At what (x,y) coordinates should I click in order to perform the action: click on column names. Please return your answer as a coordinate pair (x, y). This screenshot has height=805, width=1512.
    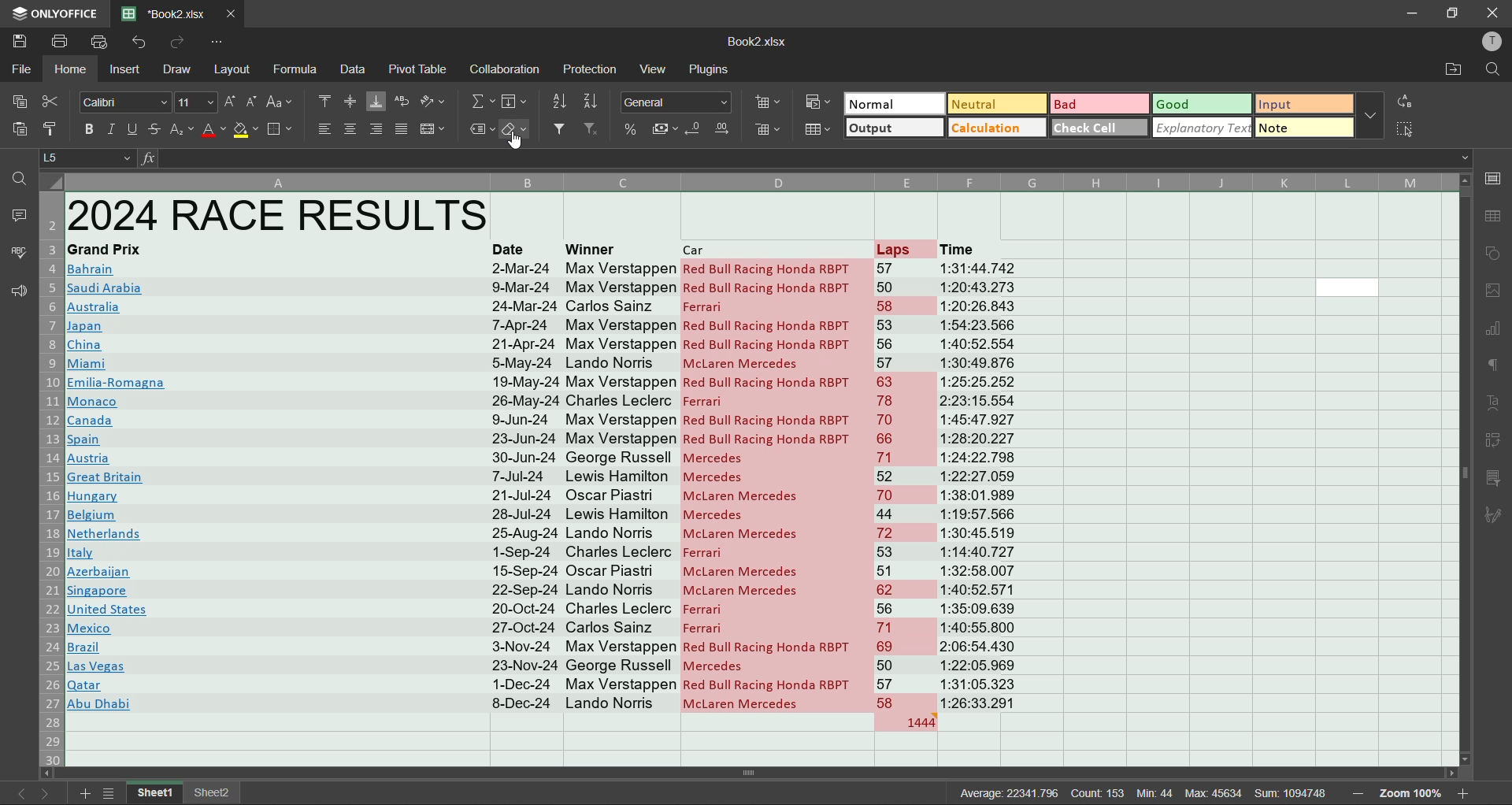
    Looking at the image, I should click on (756, 180).